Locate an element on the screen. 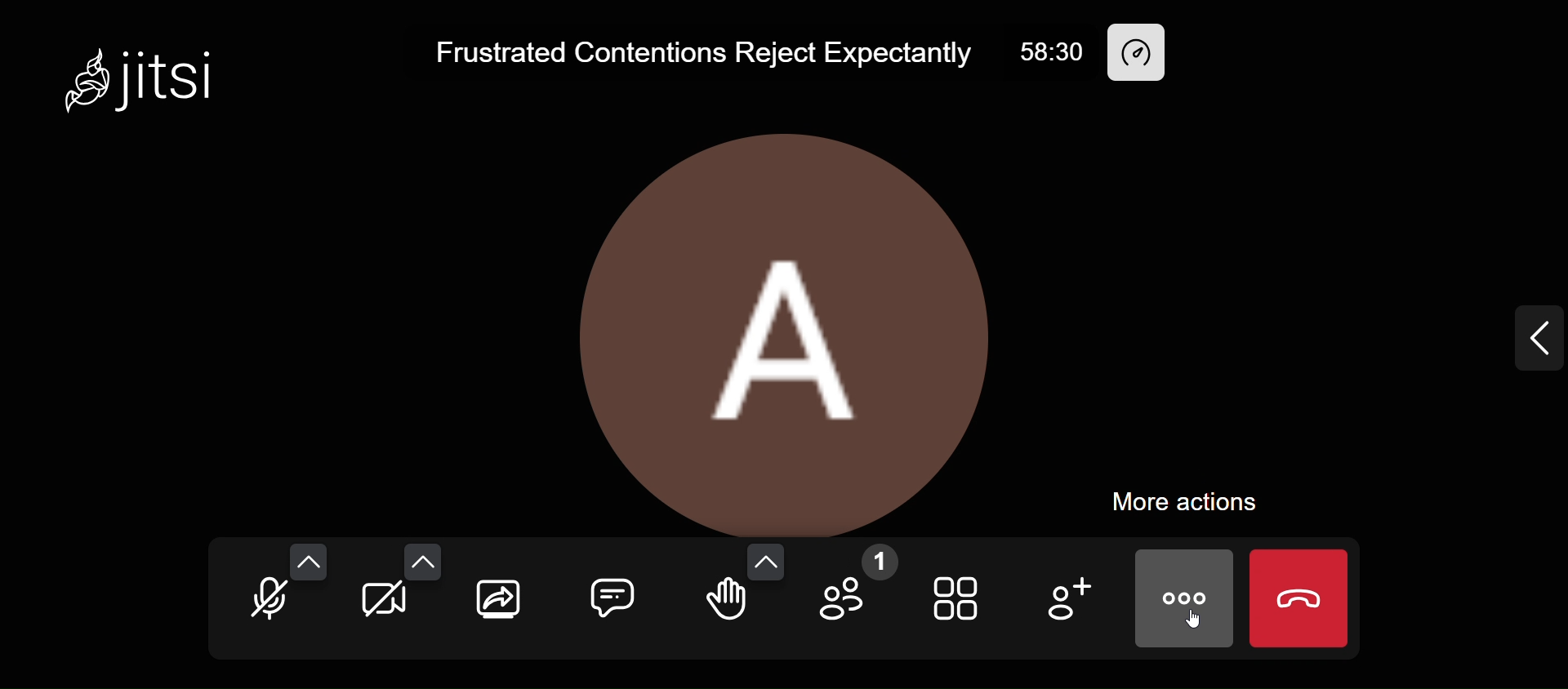 This screenshot has height=689, width=1568. share your screen is located at coordinates (504, 599).